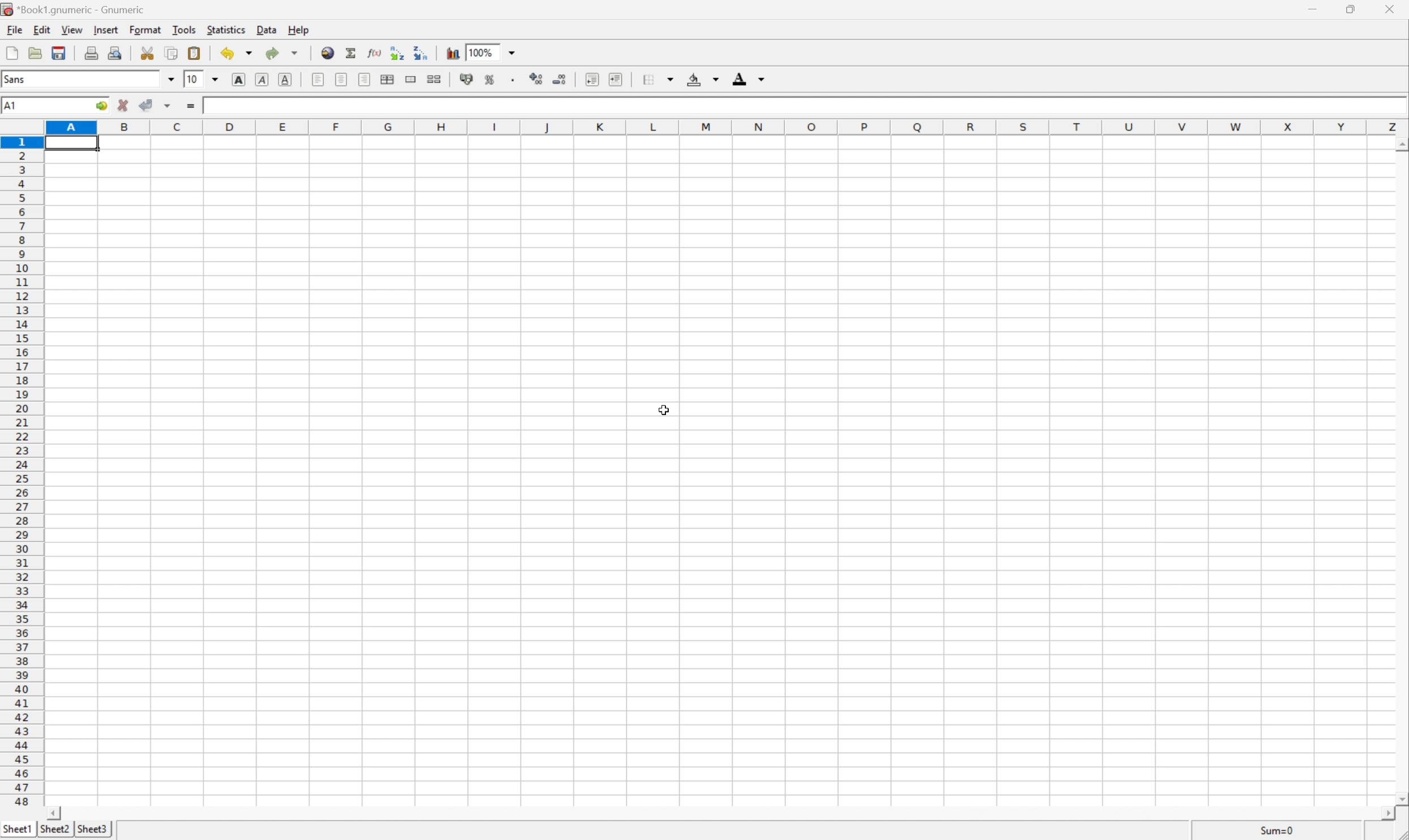 The height and width of the screenshot is (840, 1409). What do you see at coordinates (284, 53) in the screenshot?
I see `Redo` at bounding box center [284, 53].